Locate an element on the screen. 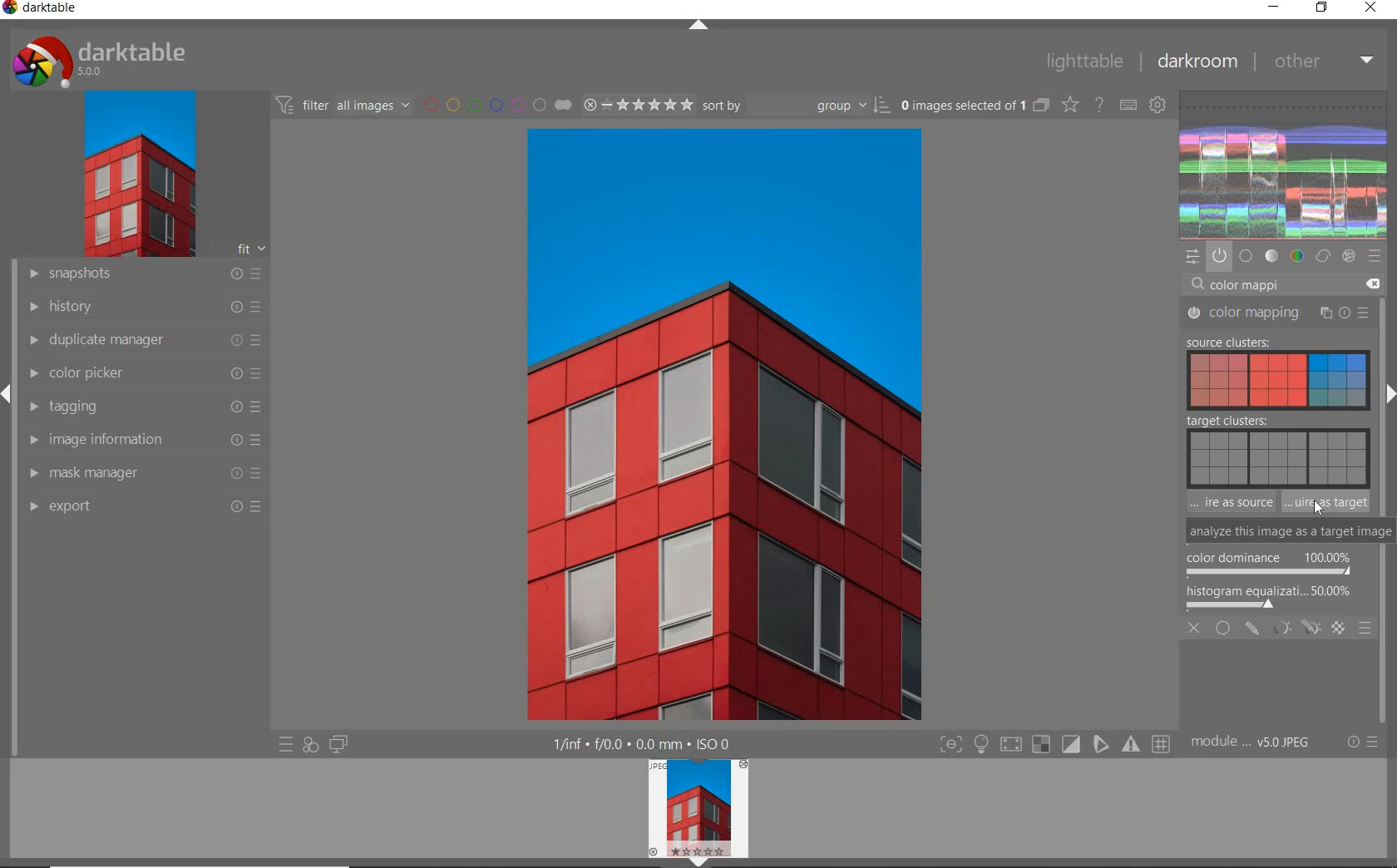 The image size is (1397, 868). duplicate manager is located at coordinates (144, 340).